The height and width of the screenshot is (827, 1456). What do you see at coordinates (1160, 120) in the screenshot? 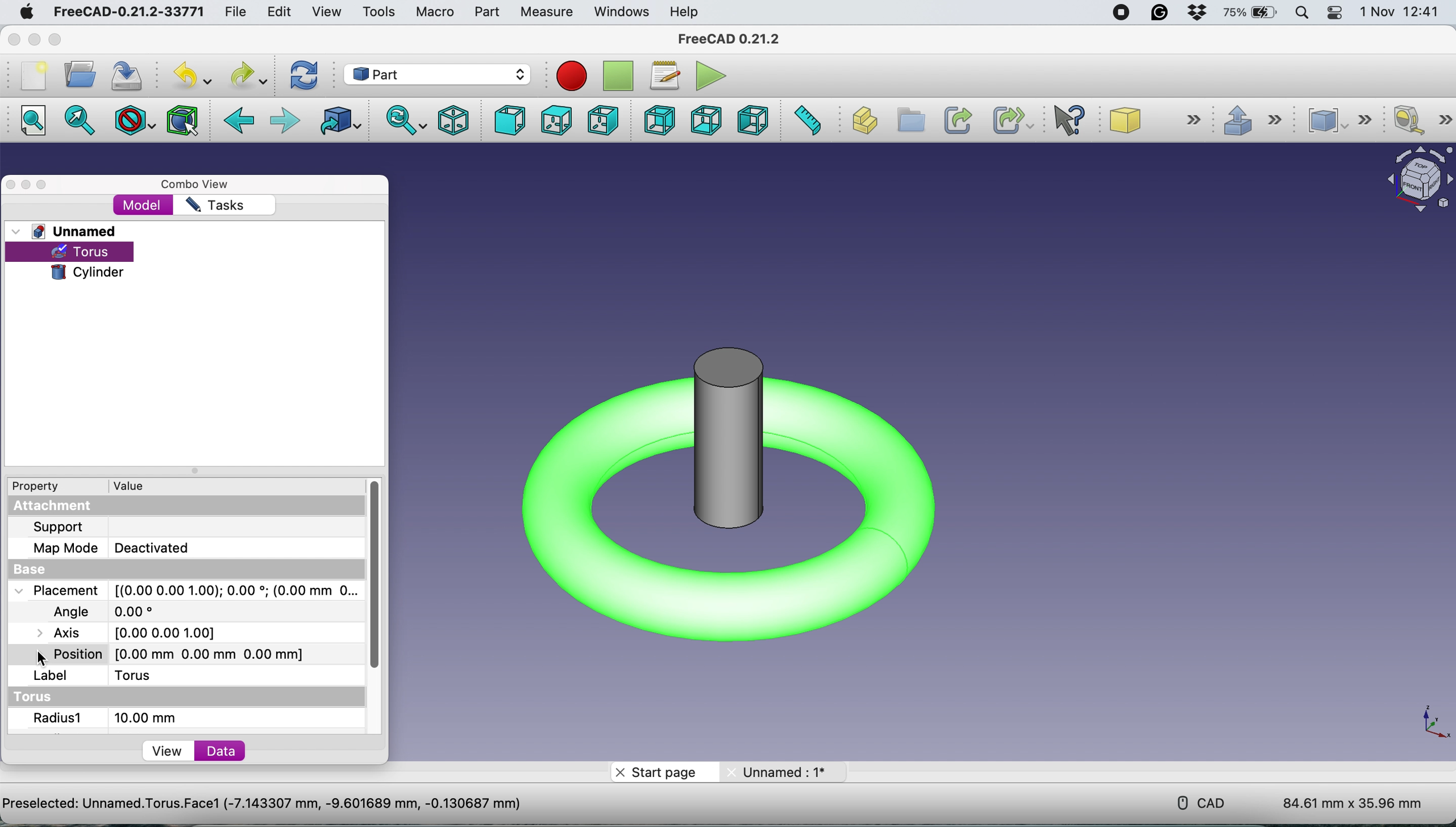
I see `cube` at bounding box center [1160, 120].